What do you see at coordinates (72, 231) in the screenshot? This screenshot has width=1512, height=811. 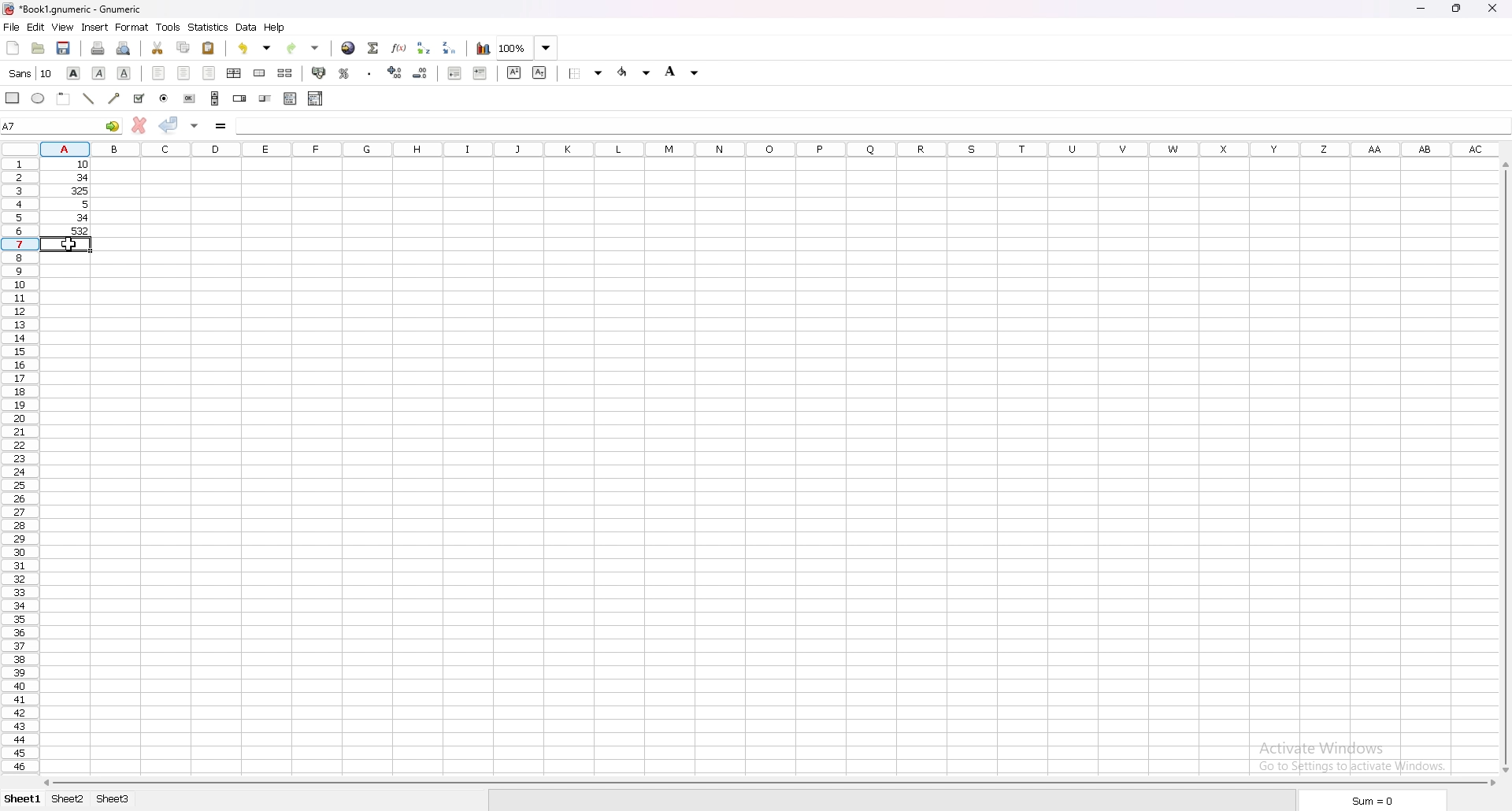 I see `532` at bounding box center [72, 231].